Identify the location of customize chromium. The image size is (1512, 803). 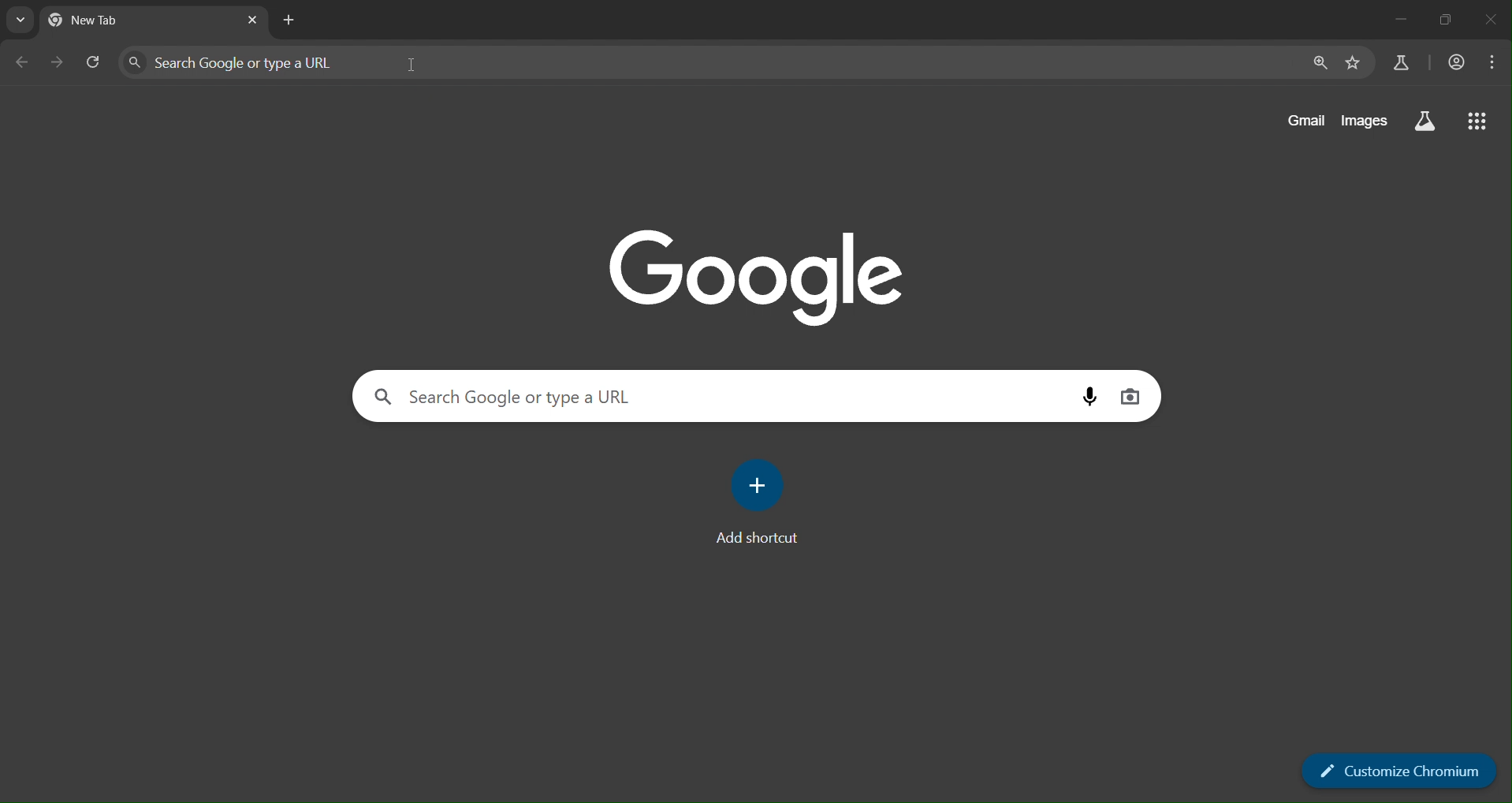
(1391, 774).